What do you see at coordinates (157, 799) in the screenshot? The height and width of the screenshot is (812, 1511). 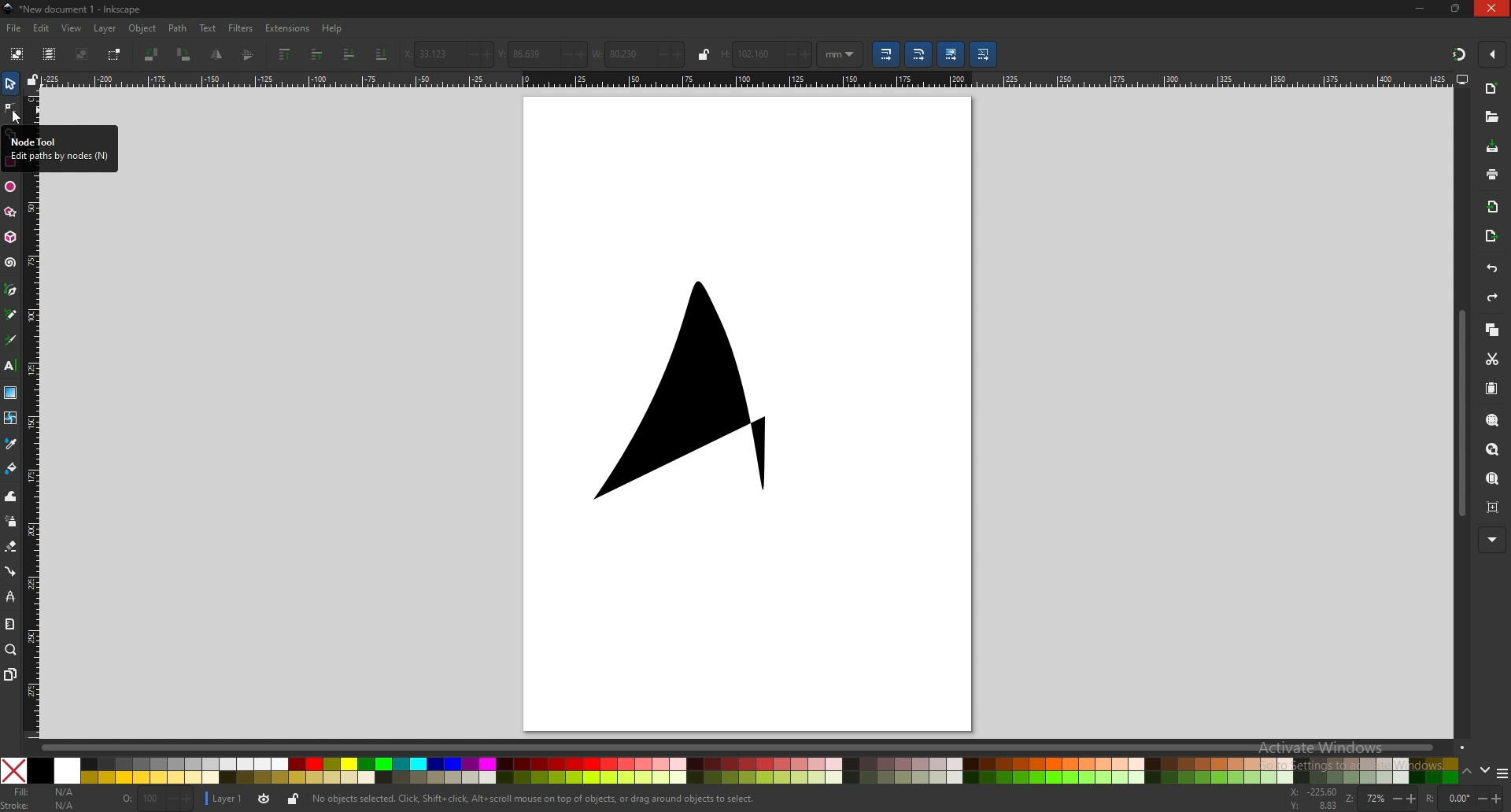 I see `opacity` at bounding box center [157, 799].